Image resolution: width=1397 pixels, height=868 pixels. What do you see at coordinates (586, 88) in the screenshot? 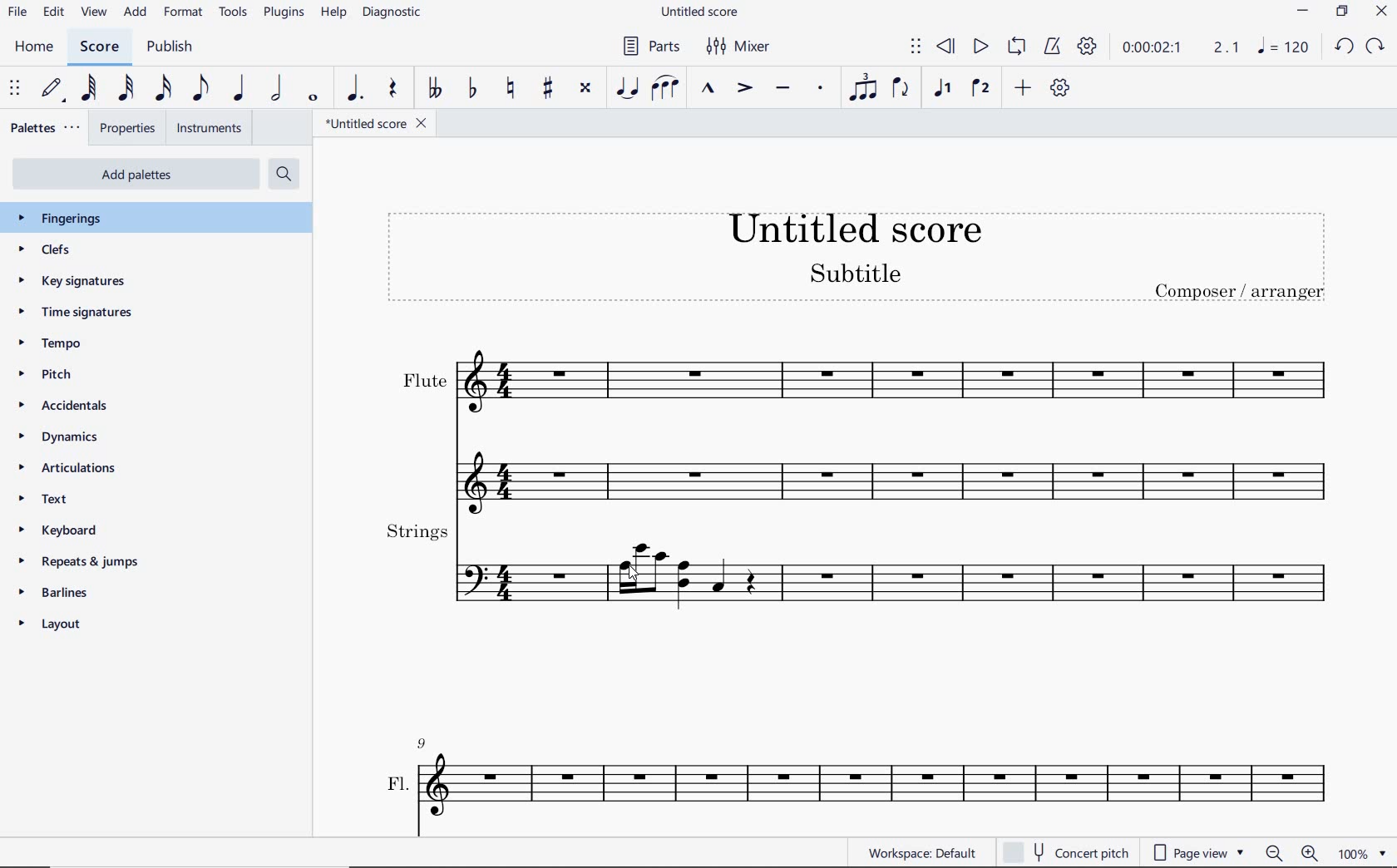
I see `toggle double-sharp` at bounding box center [586, 88].